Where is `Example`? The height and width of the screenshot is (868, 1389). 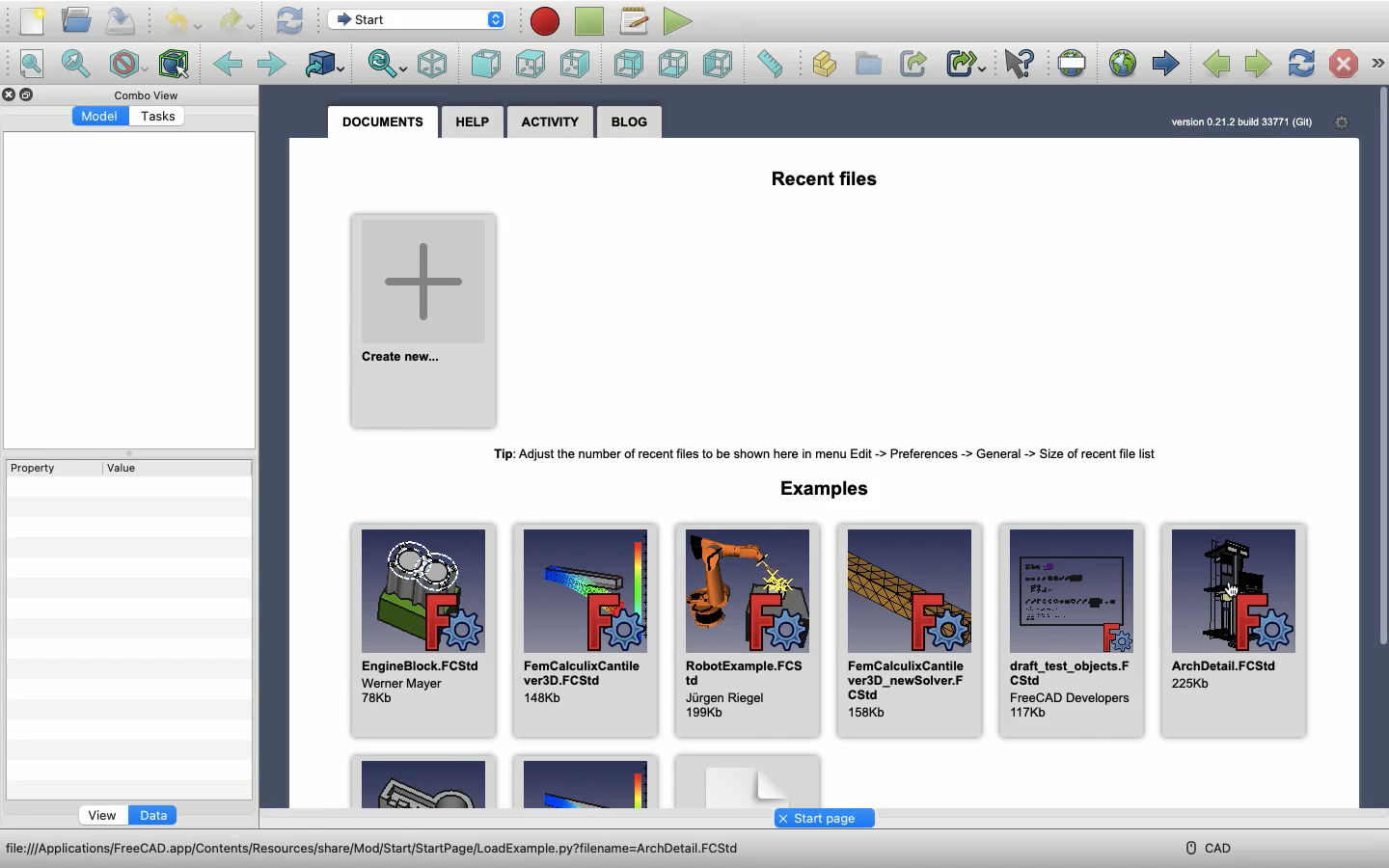 Example is located at coordinates (584, 781).